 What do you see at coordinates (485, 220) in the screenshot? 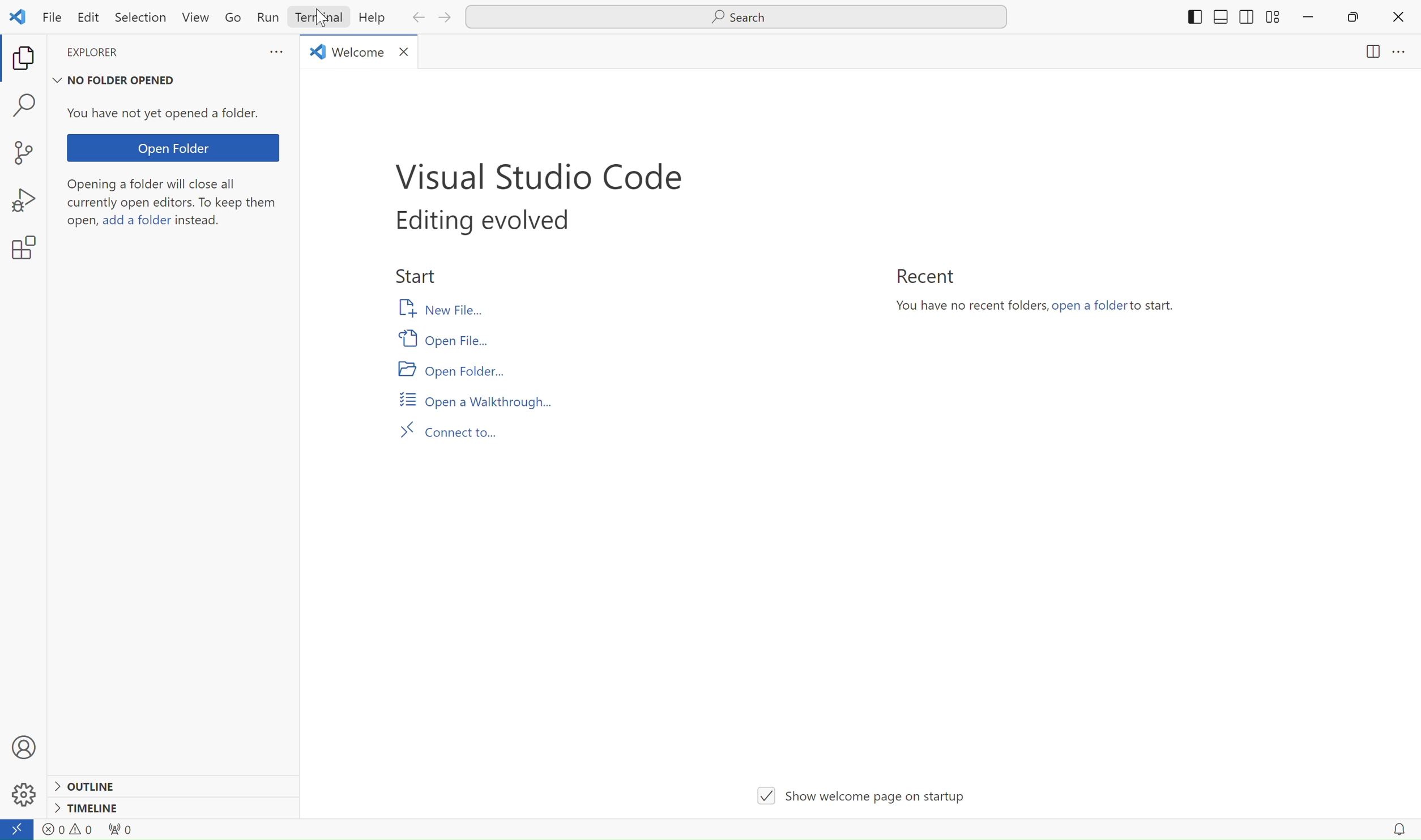
I see `editing evolved` at bounding box center [485, 220].